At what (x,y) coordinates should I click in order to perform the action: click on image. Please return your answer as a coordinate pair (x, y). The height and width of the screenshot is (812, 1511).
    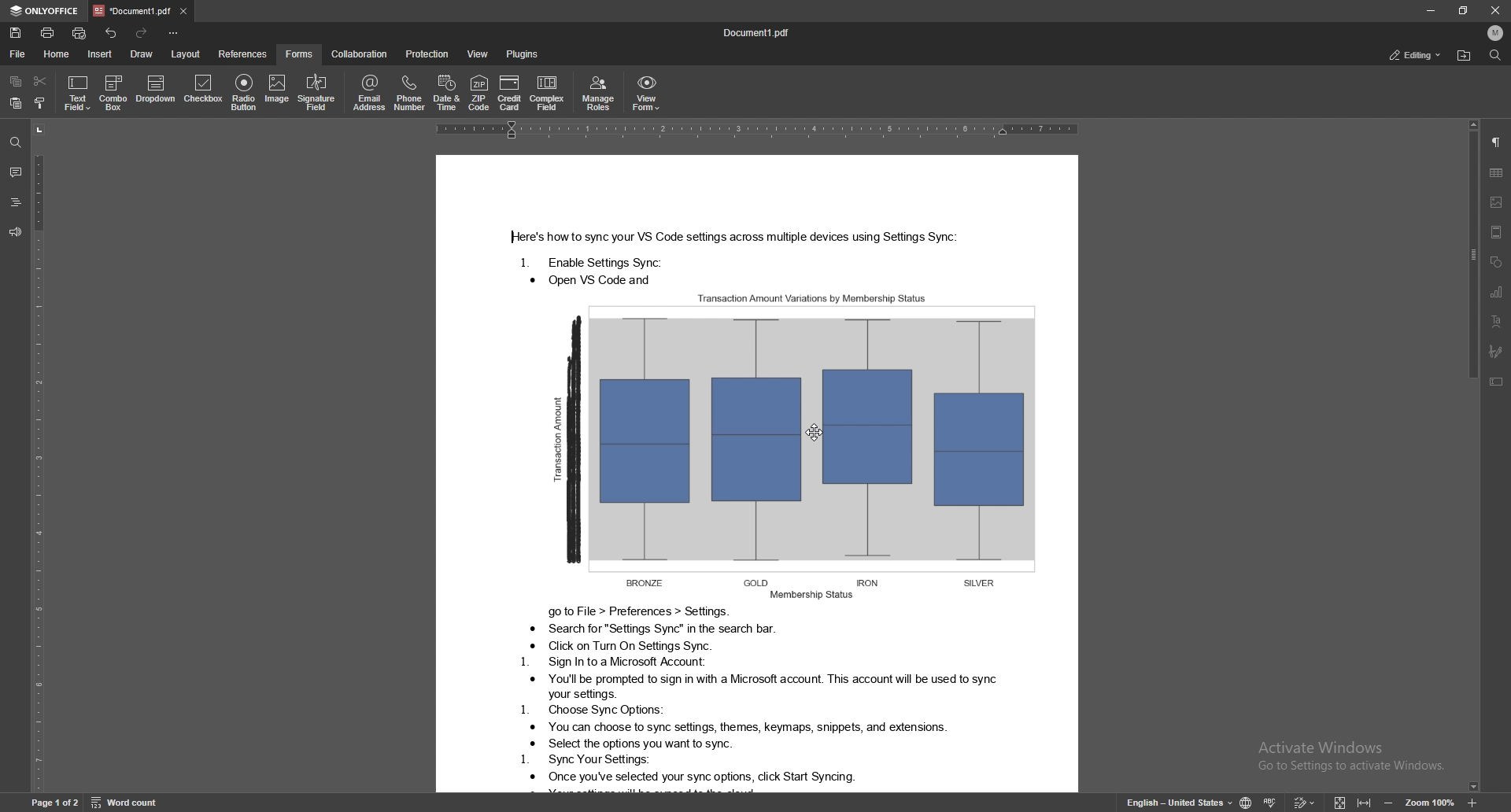
    Looking at the image, I should click on (276, 90).